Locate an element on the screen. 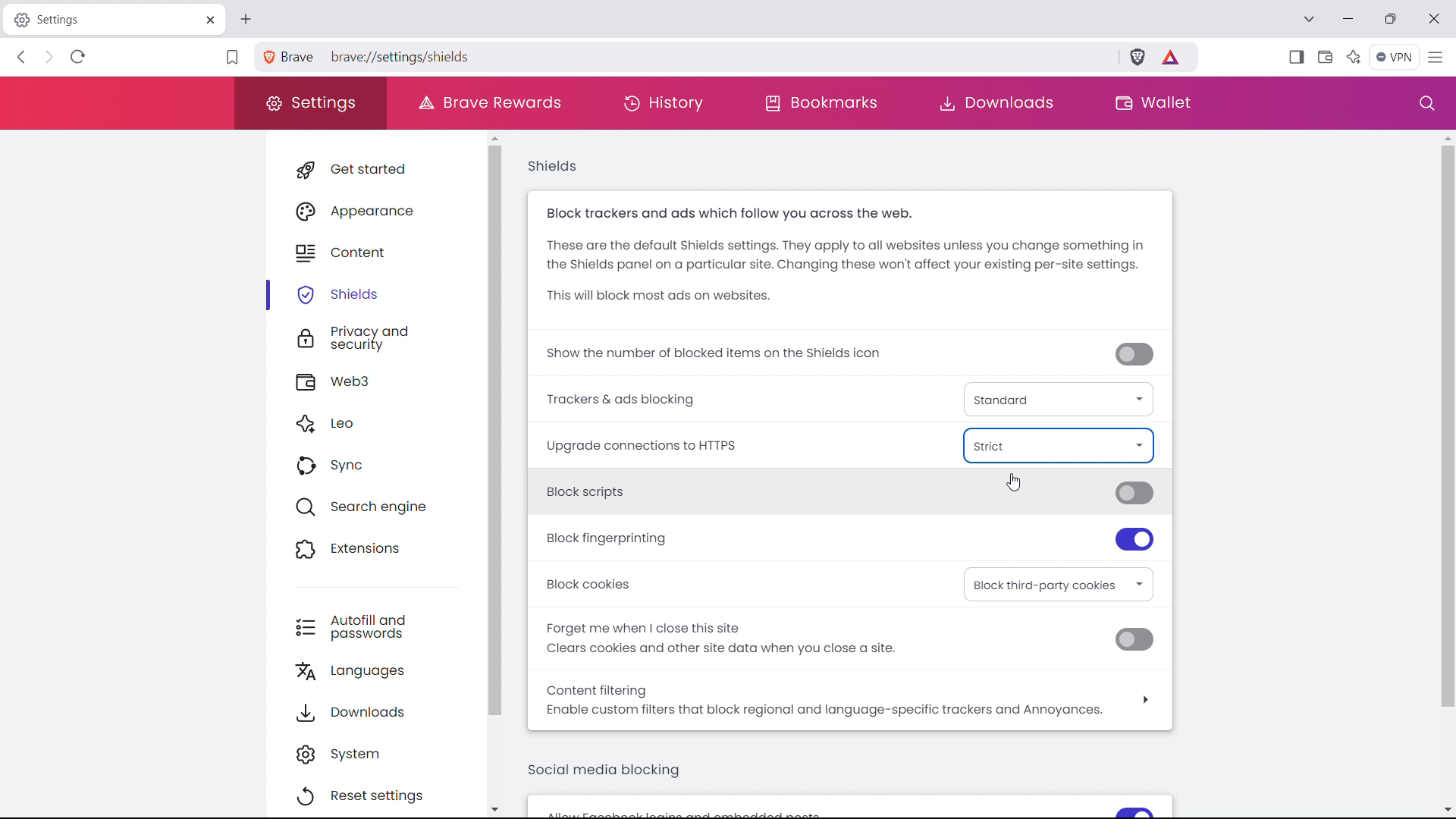  scrollbar is located at coordinates (1447, 426).